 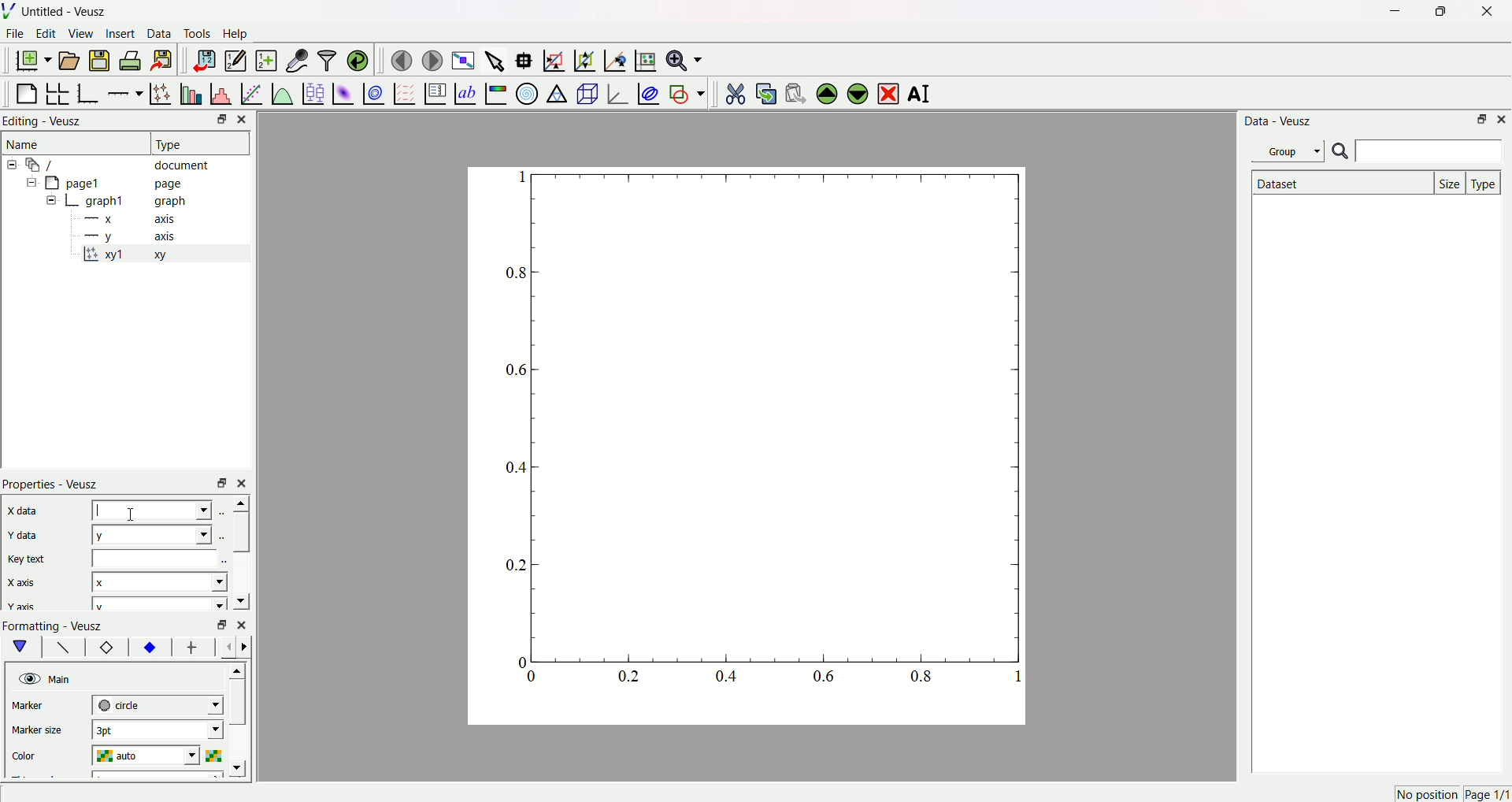 I want to click on Marker, so click(x=42, y=707).